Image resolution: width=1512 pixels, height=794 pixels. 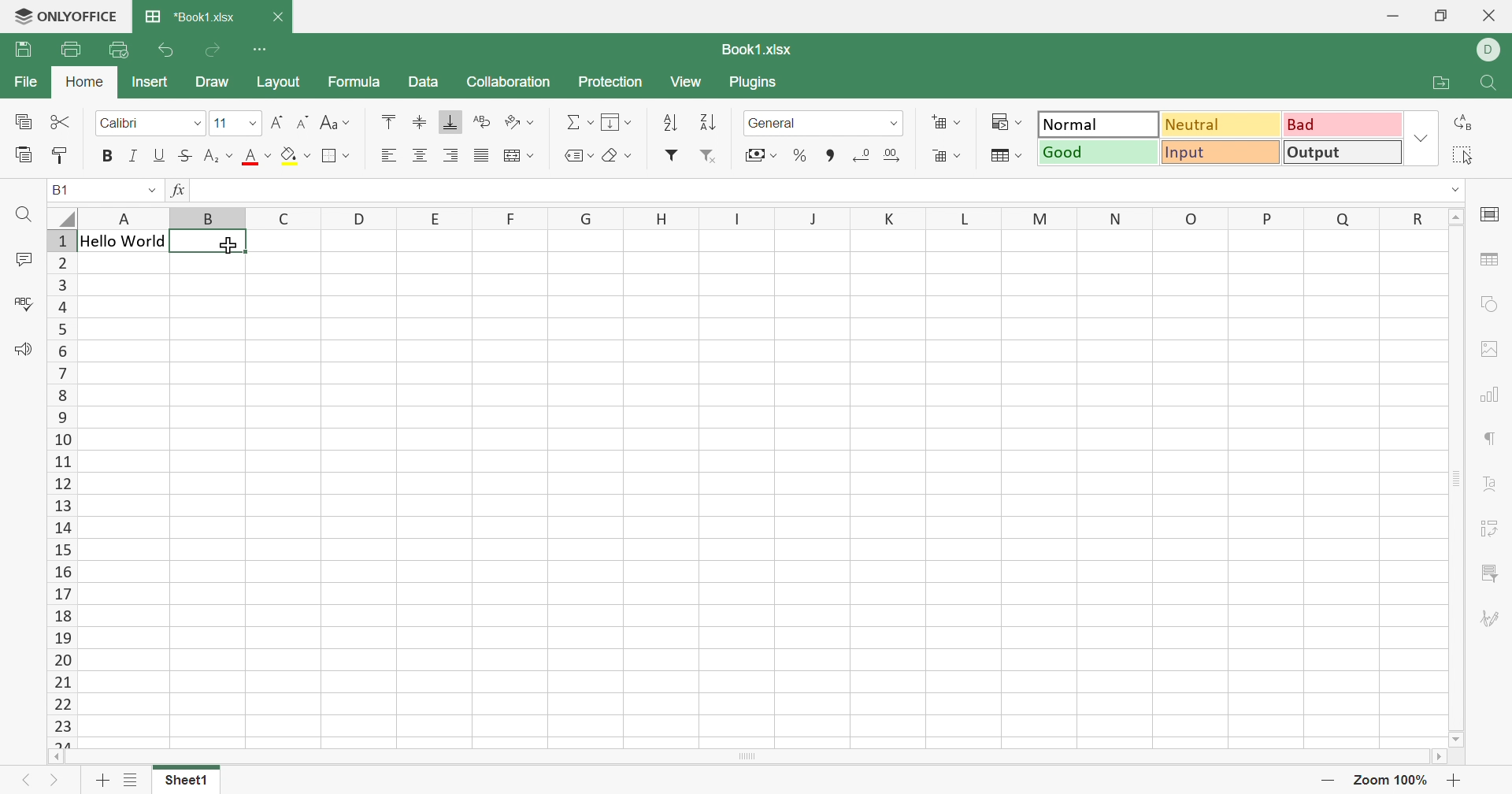 I want to click on slicer settings, so click(x=1489, y=574).